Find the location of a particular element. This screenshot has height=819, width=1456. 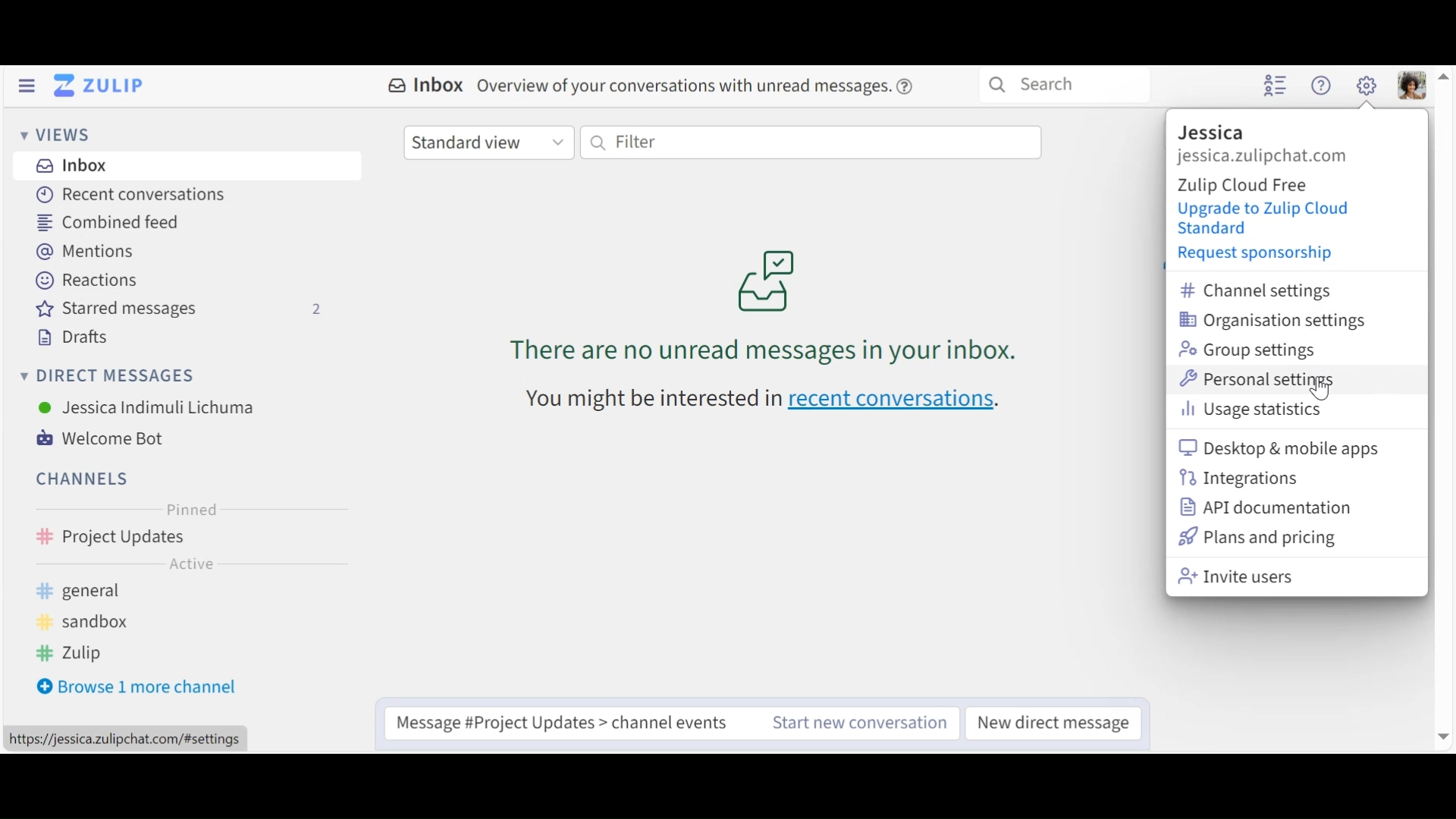

Intergration is located at coordinates (1238, 479).